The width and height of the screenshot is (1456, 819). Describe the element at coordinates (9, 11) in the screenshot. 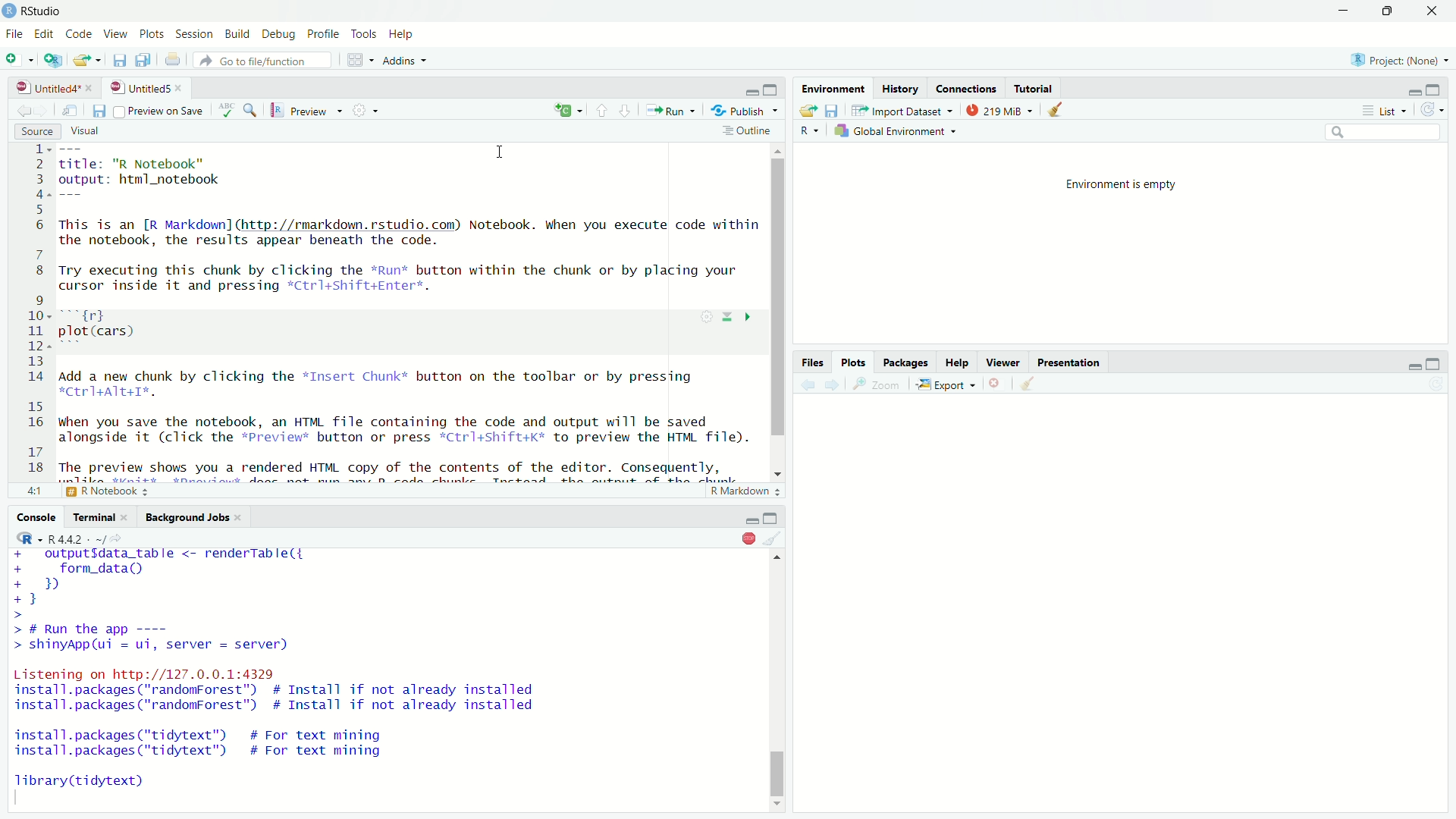

I see `Logo` at that location.